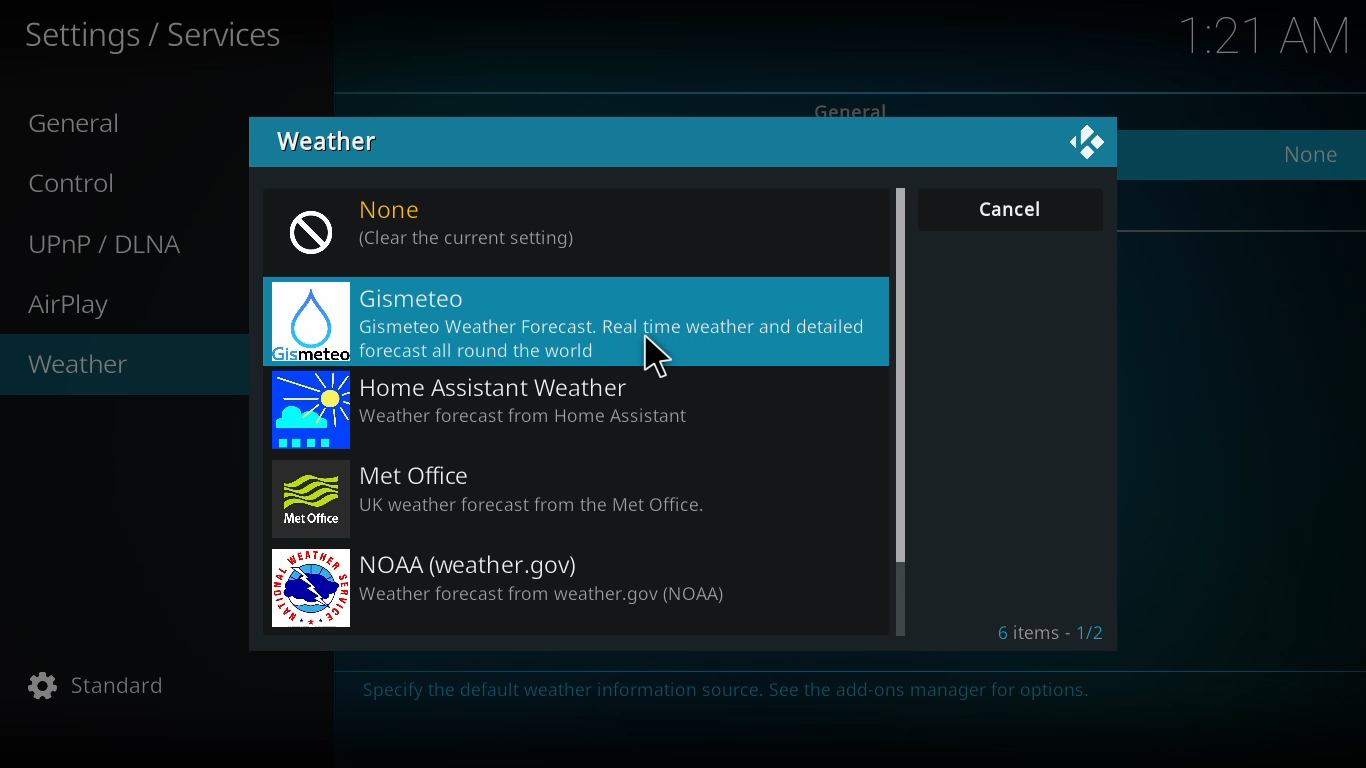  What do you see at coordinates (1011, 209) in the screenshot?
I see `cancel` at bounding box center [1011, 209].